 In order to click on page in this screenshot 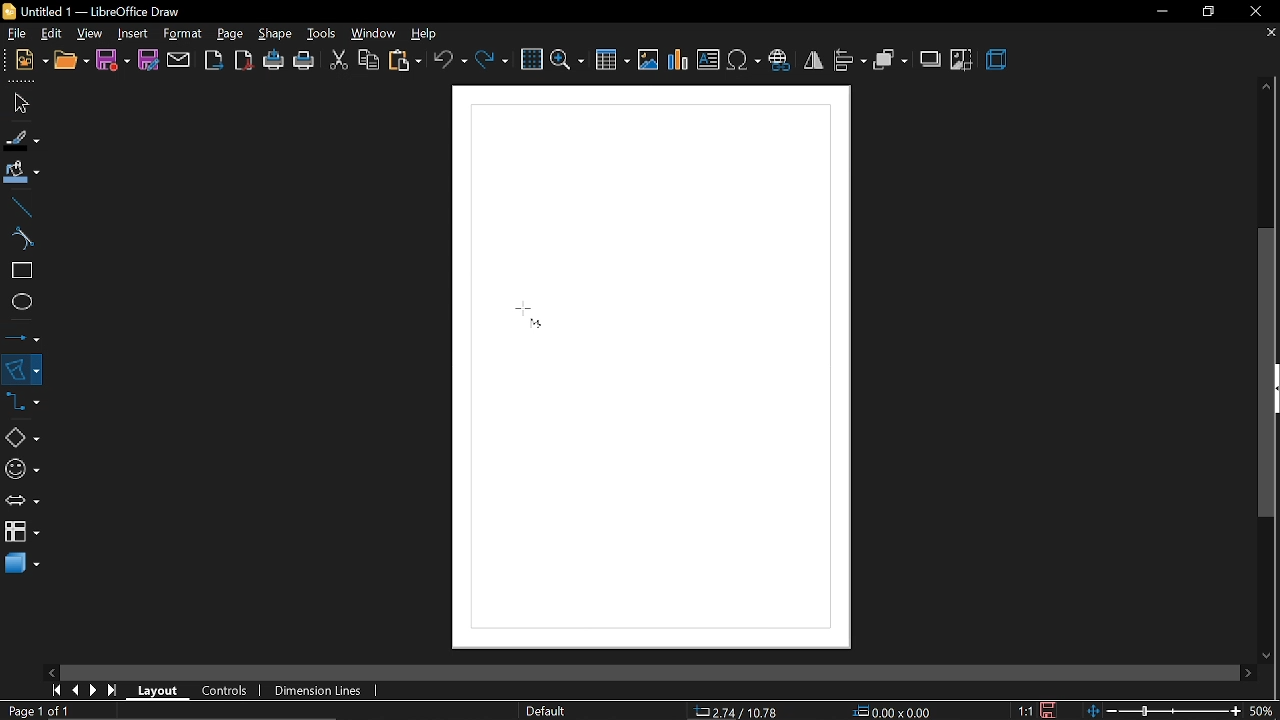, I will do `click(230, 33)`.